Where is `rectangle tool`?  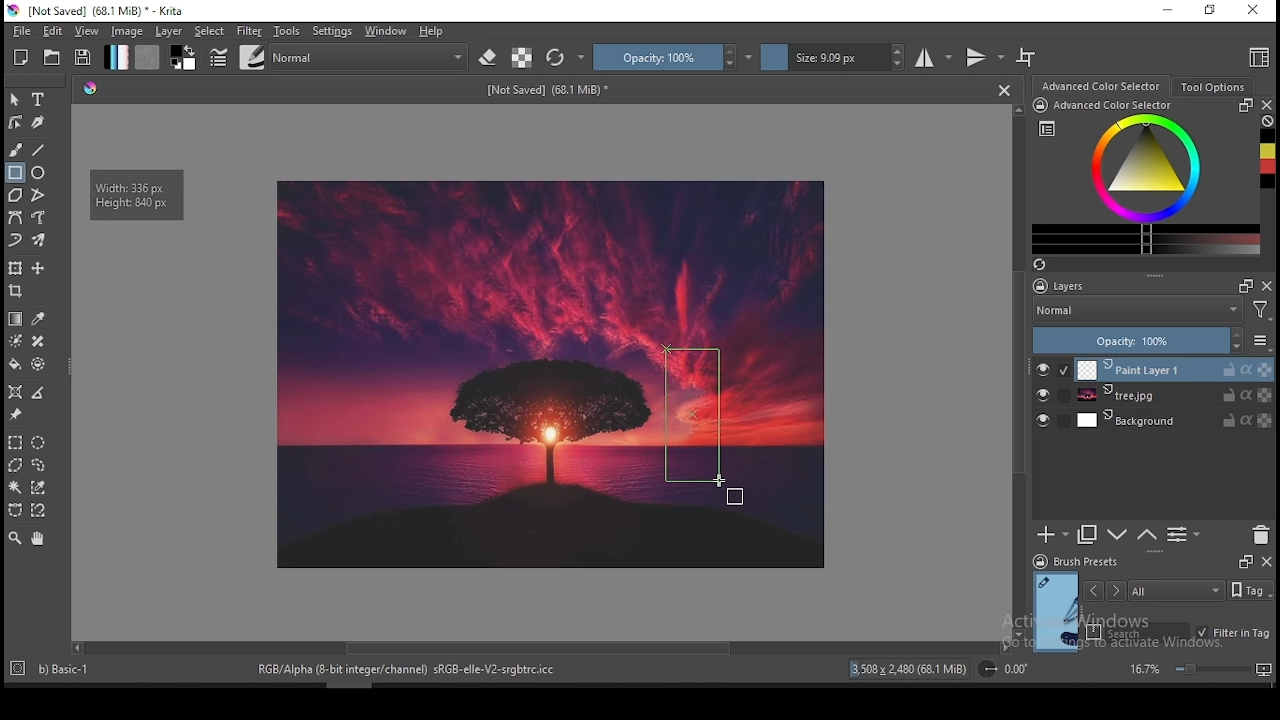 rectangle tool is located at coordinates (14, 173).